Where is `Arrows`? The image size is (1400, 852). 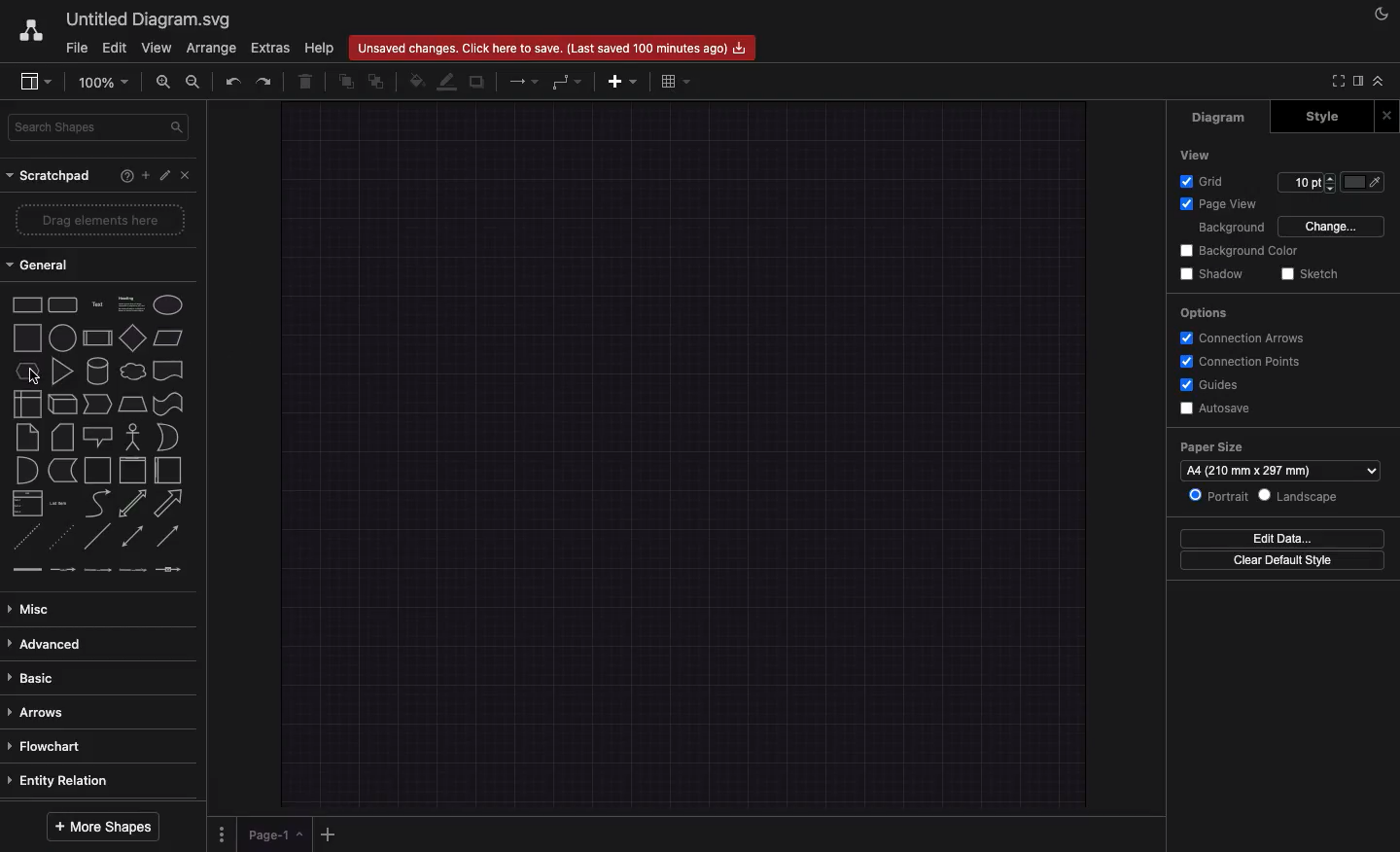 Arrows is located at coordinates (523, 81).